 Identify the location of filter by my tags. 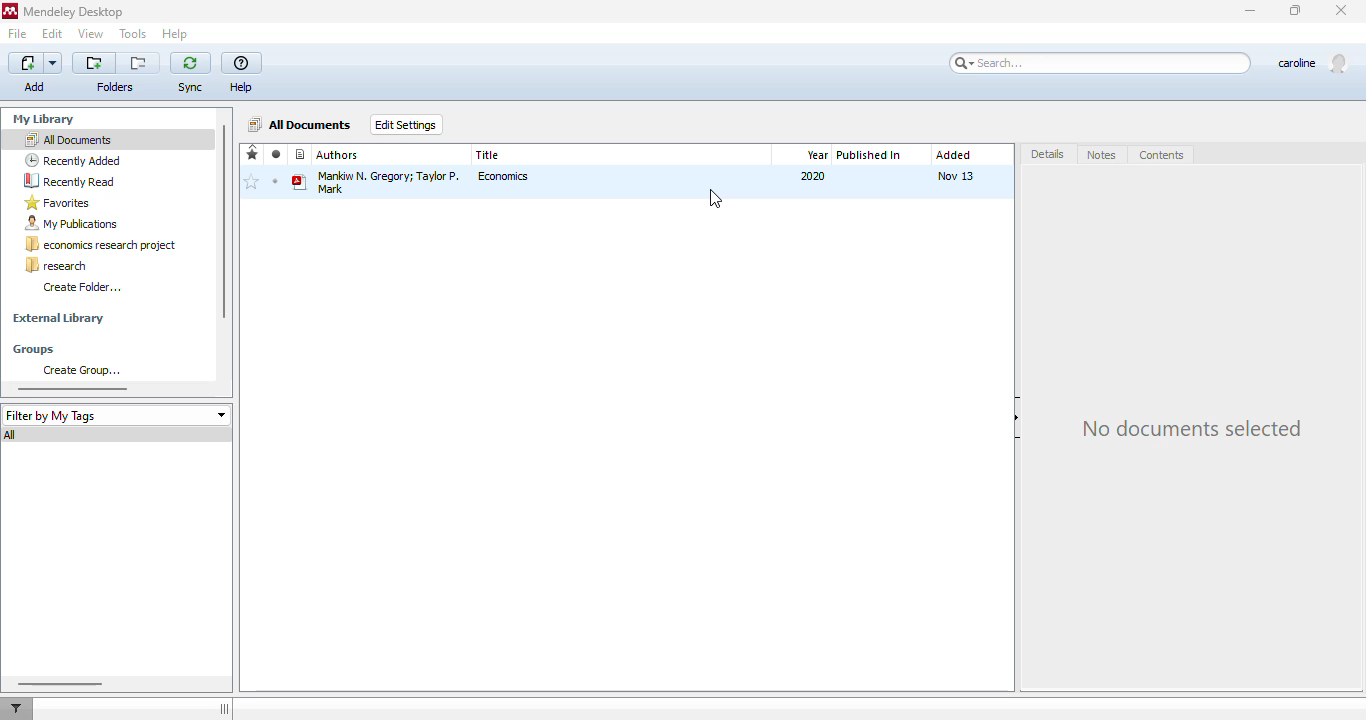
(116, 416).